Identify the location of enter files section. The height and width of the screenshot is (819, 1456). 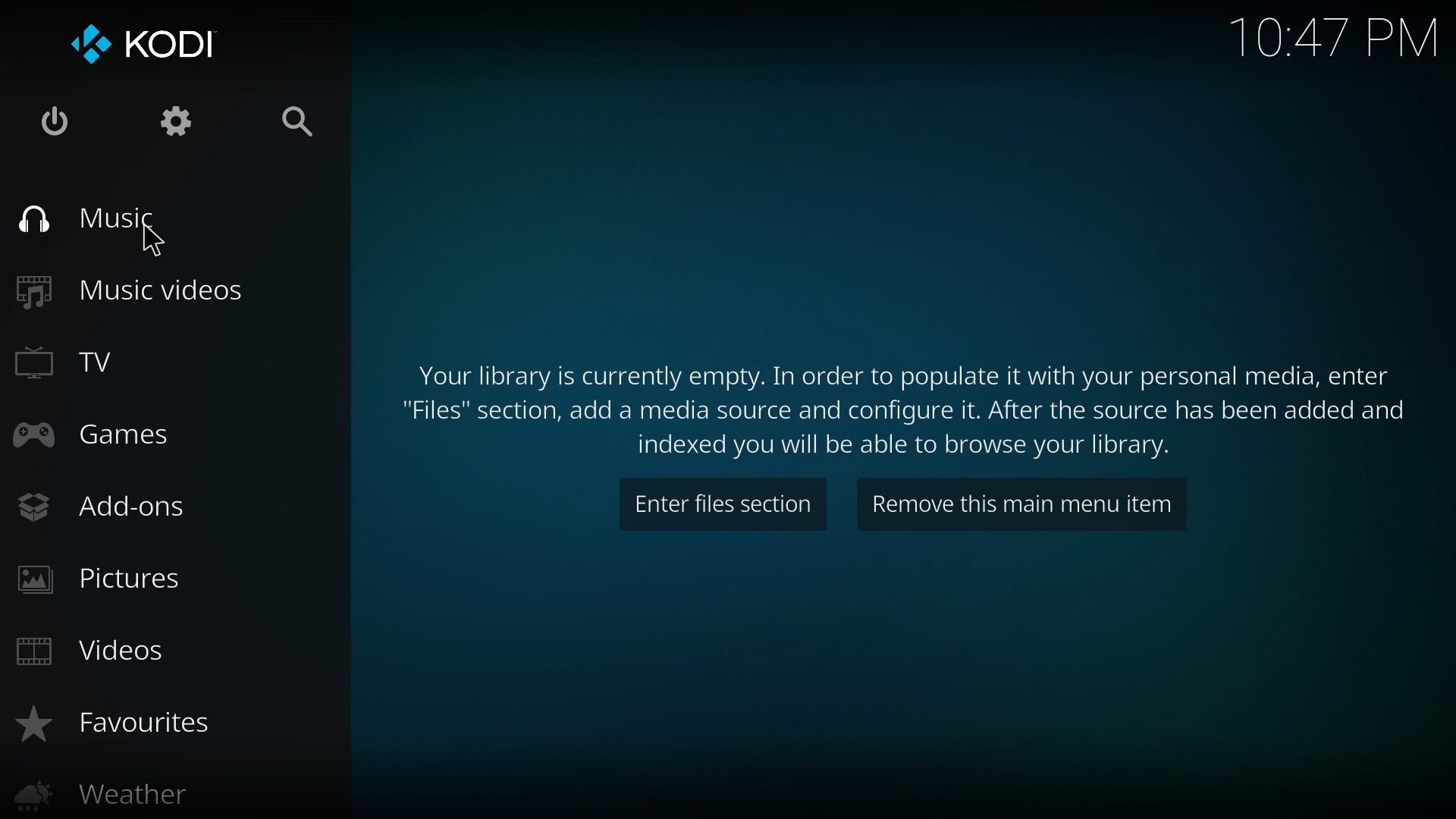
(724, 503).